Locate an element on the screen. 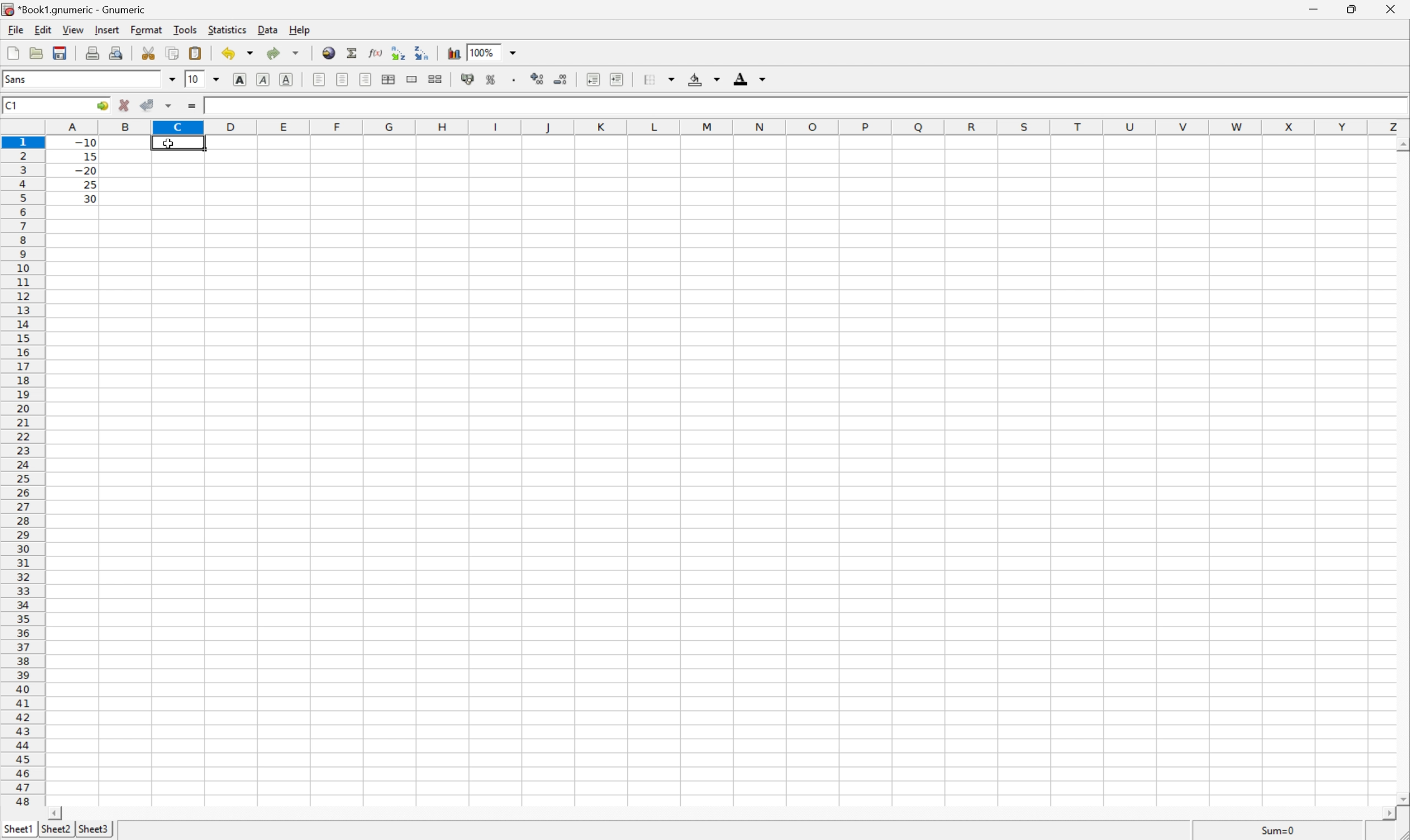  Minimize is located at coordinates (1315, 8).